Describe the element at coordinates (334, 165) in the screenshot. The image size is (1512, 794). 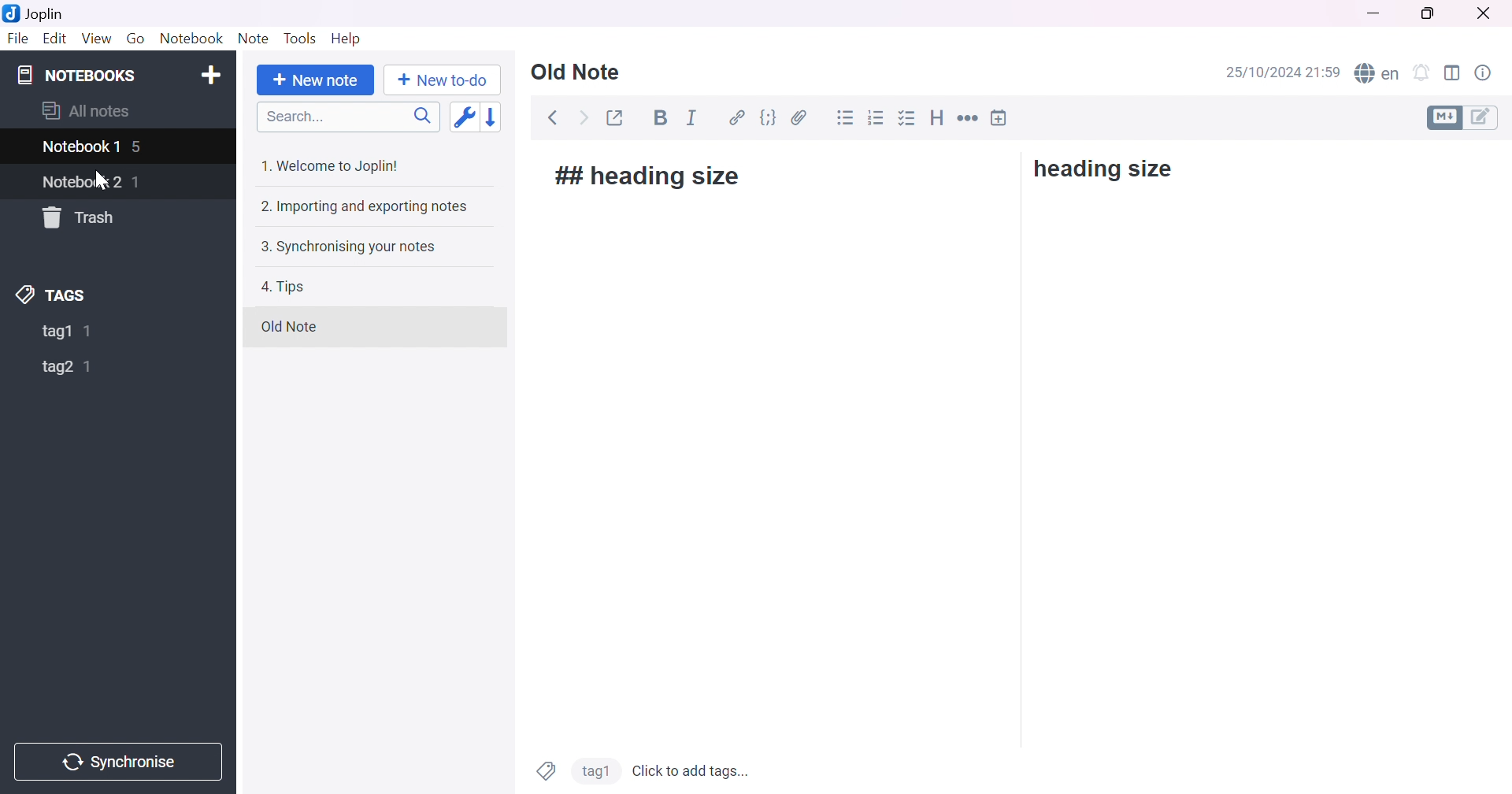
I see `1. Welcome to Joplin!` at that location.